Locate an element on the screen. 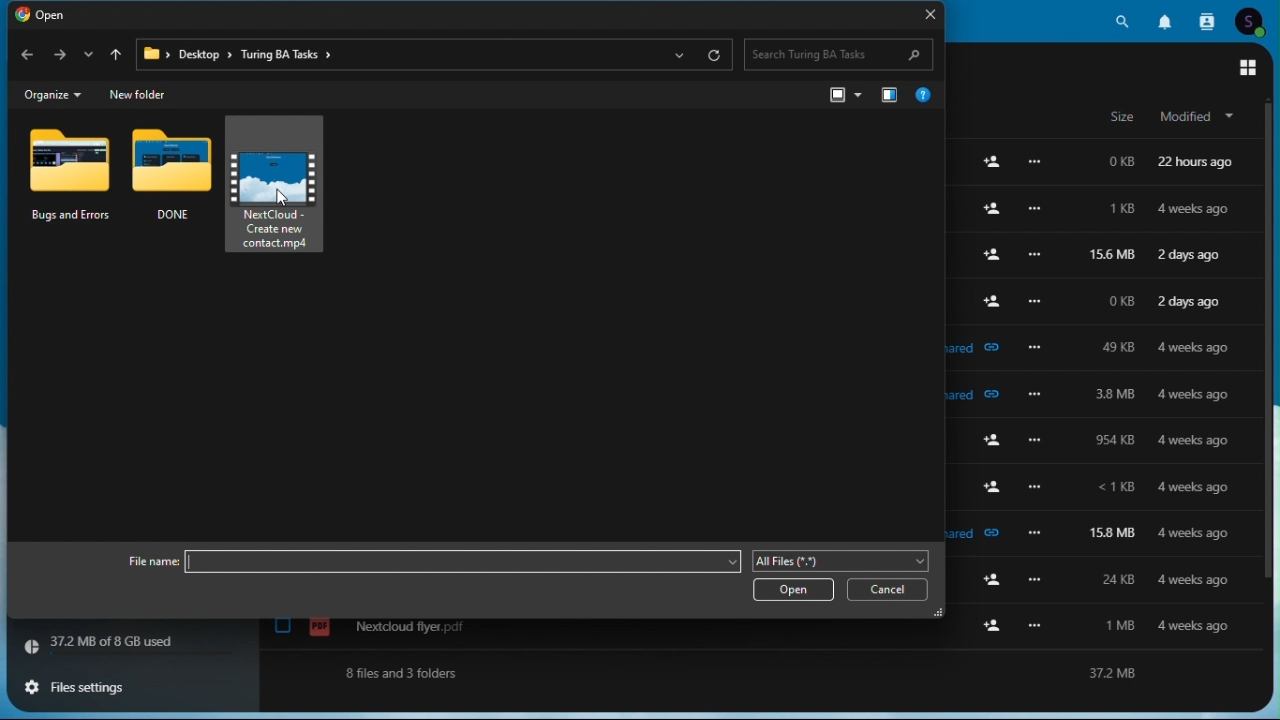  Open is located at coordinates (42, 18).